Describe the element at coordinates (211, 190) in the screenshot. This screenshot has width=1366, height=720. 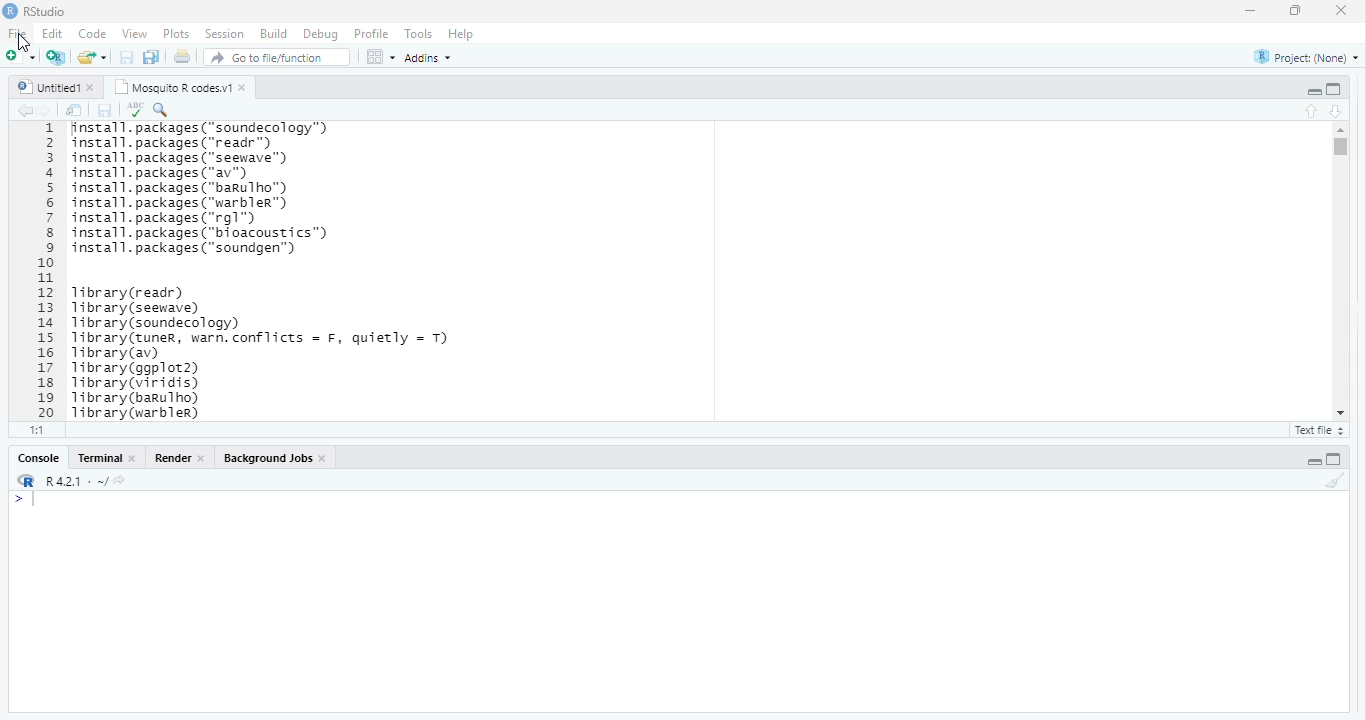
I see `install. packages ("soundecology”)install. packages ("readr")install. packages ("seewave™)install. packages ("av")install. packages("barulho")install. packages("warbler")install. packages("rgl”)install. packages("bioacoustics")install. packages ("soundgen")` at that location.